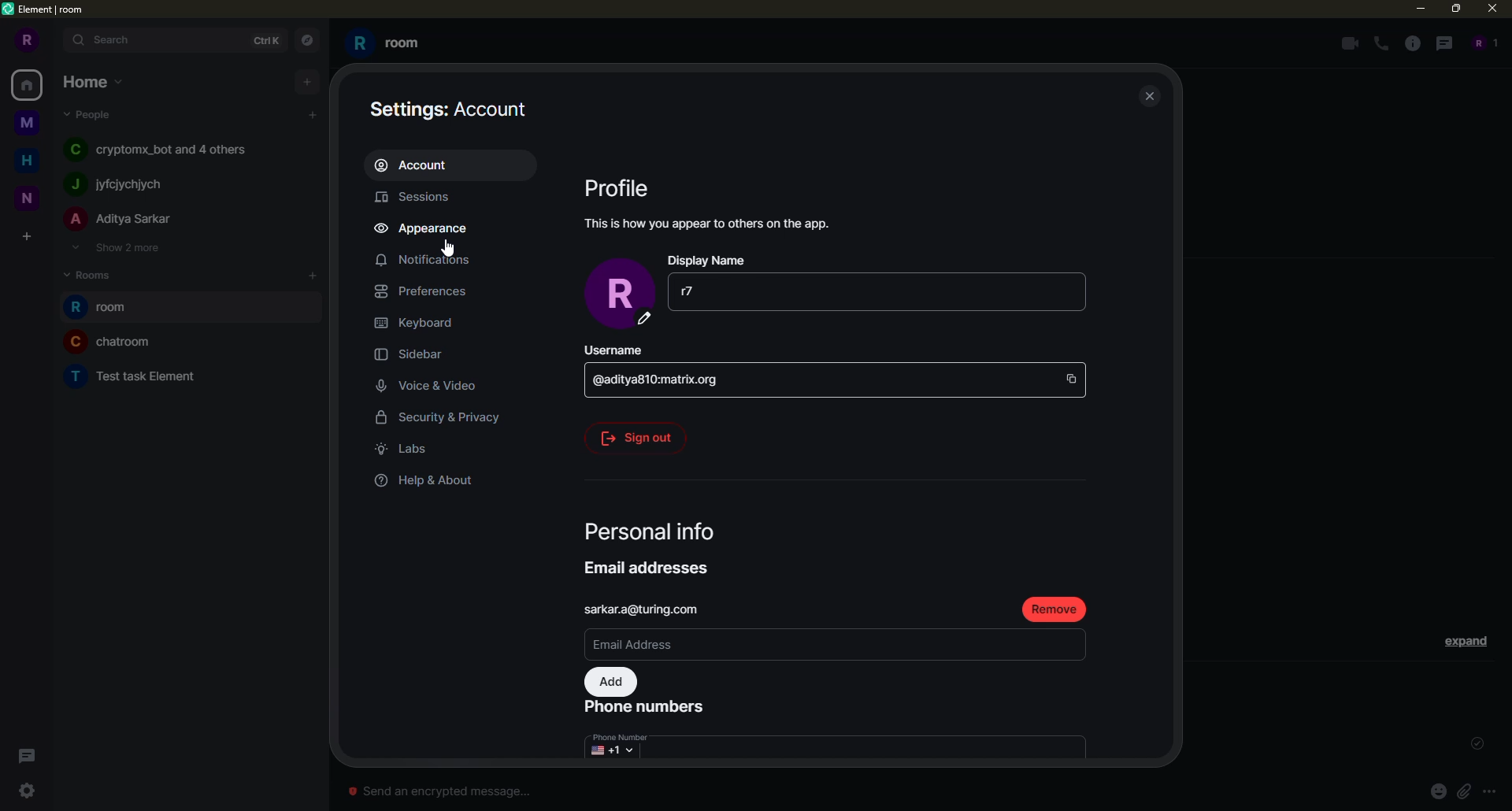  I want to click on space, so click(28, 196).